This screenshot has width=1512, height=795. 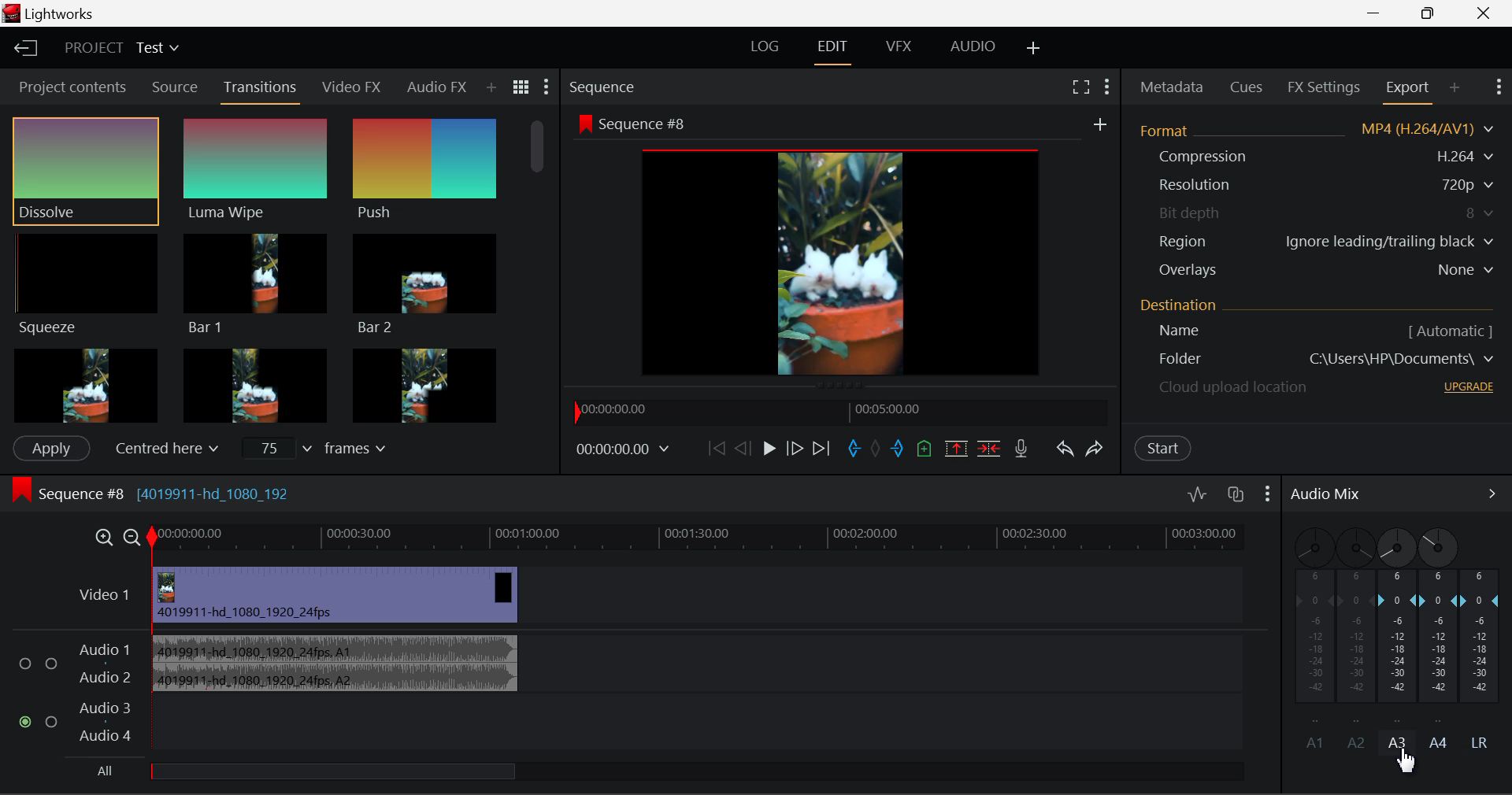 What do you see at coordinates (324, 447) in the screenshot?
I see `Frames Input` at bounding box center [324, 447].